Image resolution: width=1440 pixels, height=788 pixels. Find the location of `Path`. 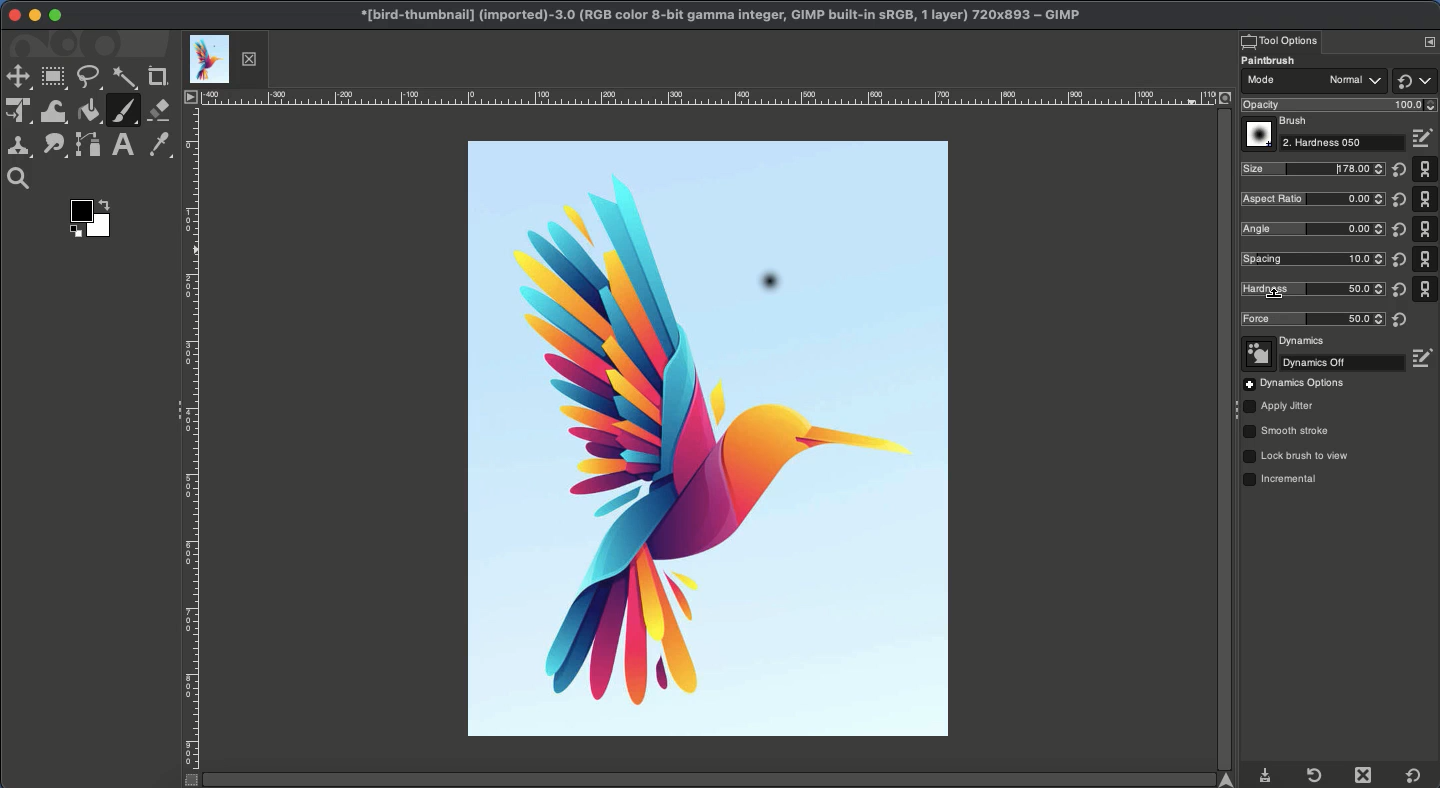

Path is located at coordinates (89, 146).